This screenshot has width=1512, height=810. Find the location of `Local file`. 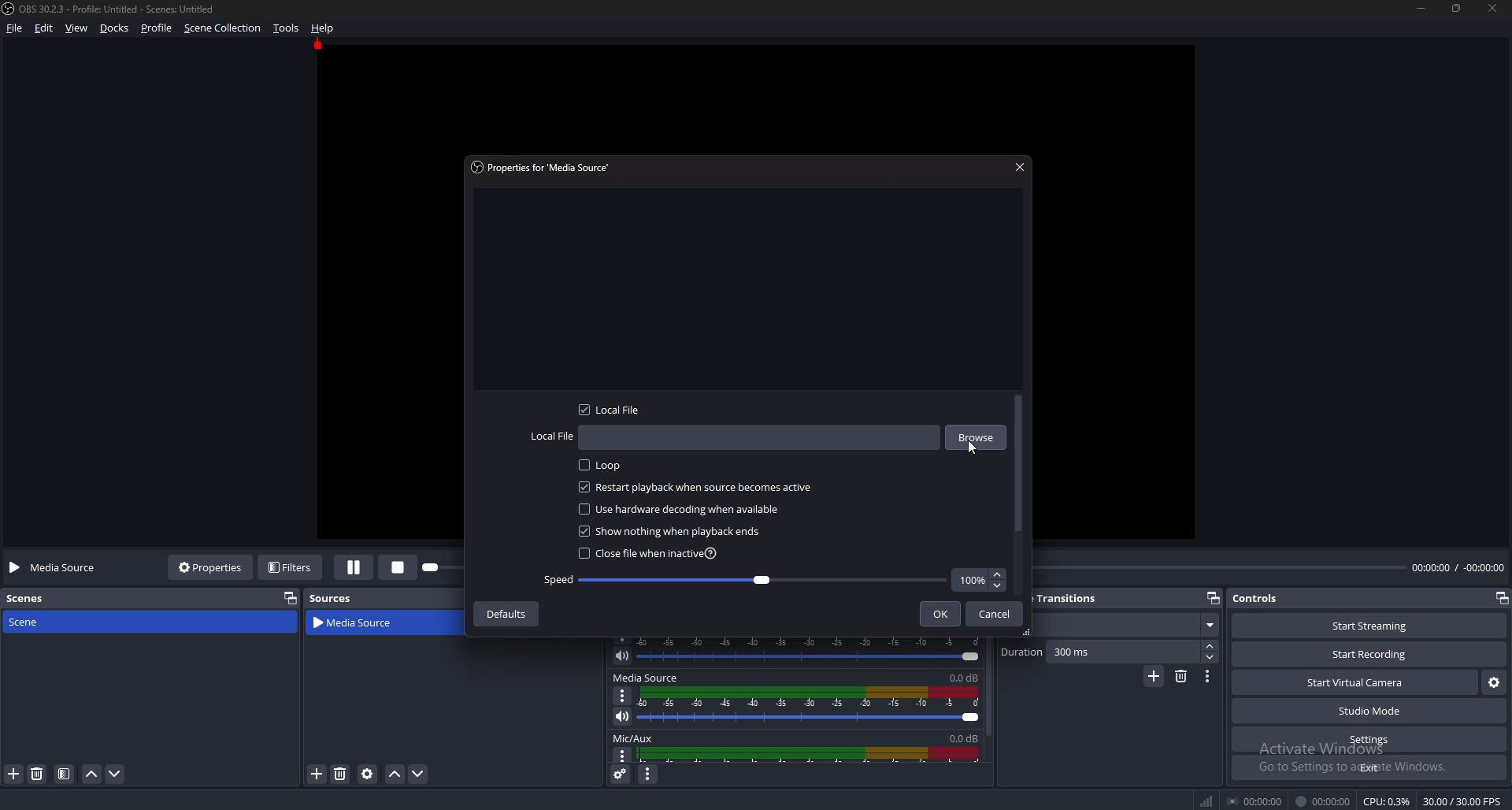

Local file is located at coordinates (615, 410).